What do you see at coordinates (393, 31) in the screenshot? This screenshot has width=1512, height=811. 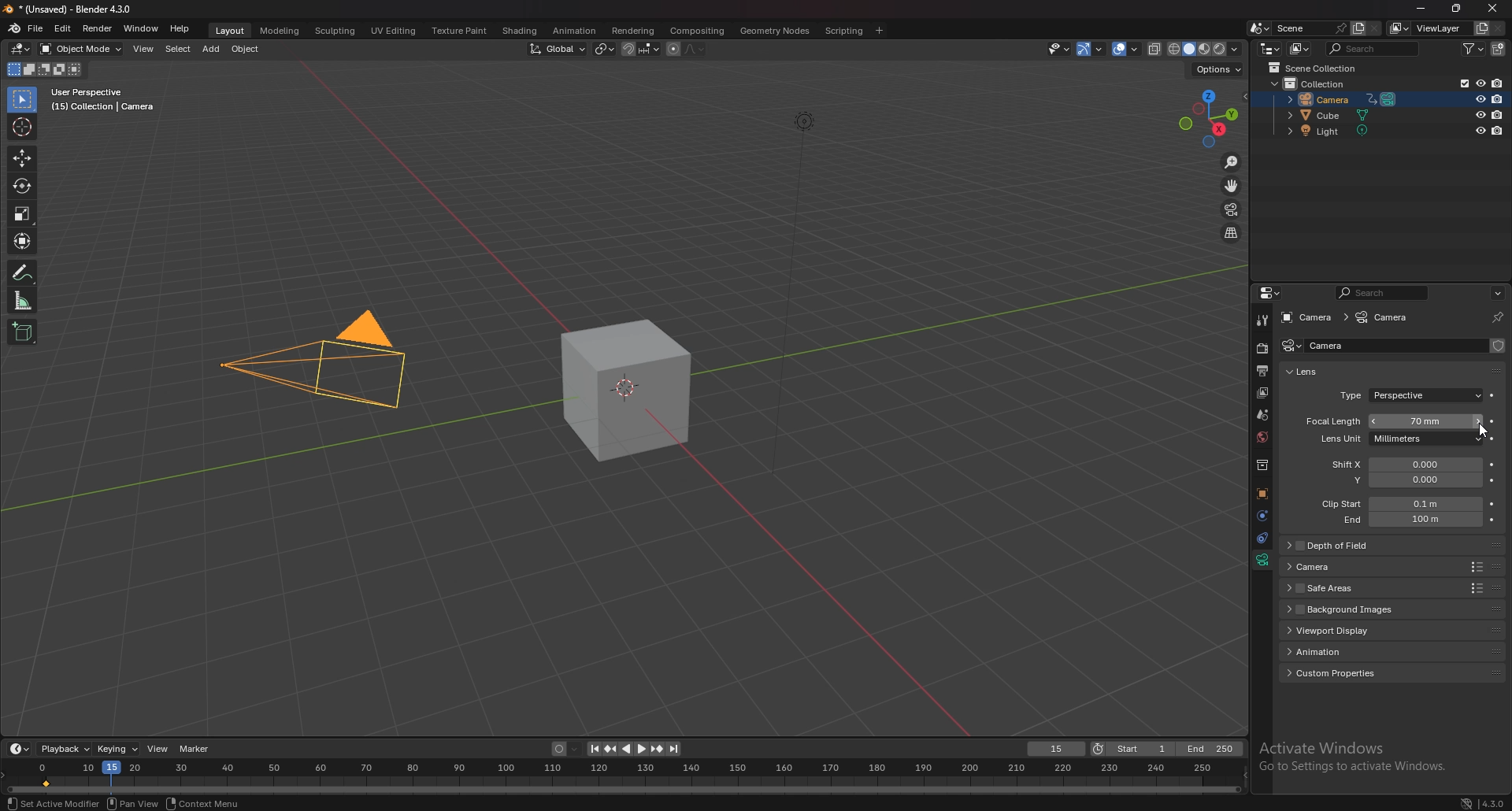 I see `uv editing` at bounding box center [393, 31].